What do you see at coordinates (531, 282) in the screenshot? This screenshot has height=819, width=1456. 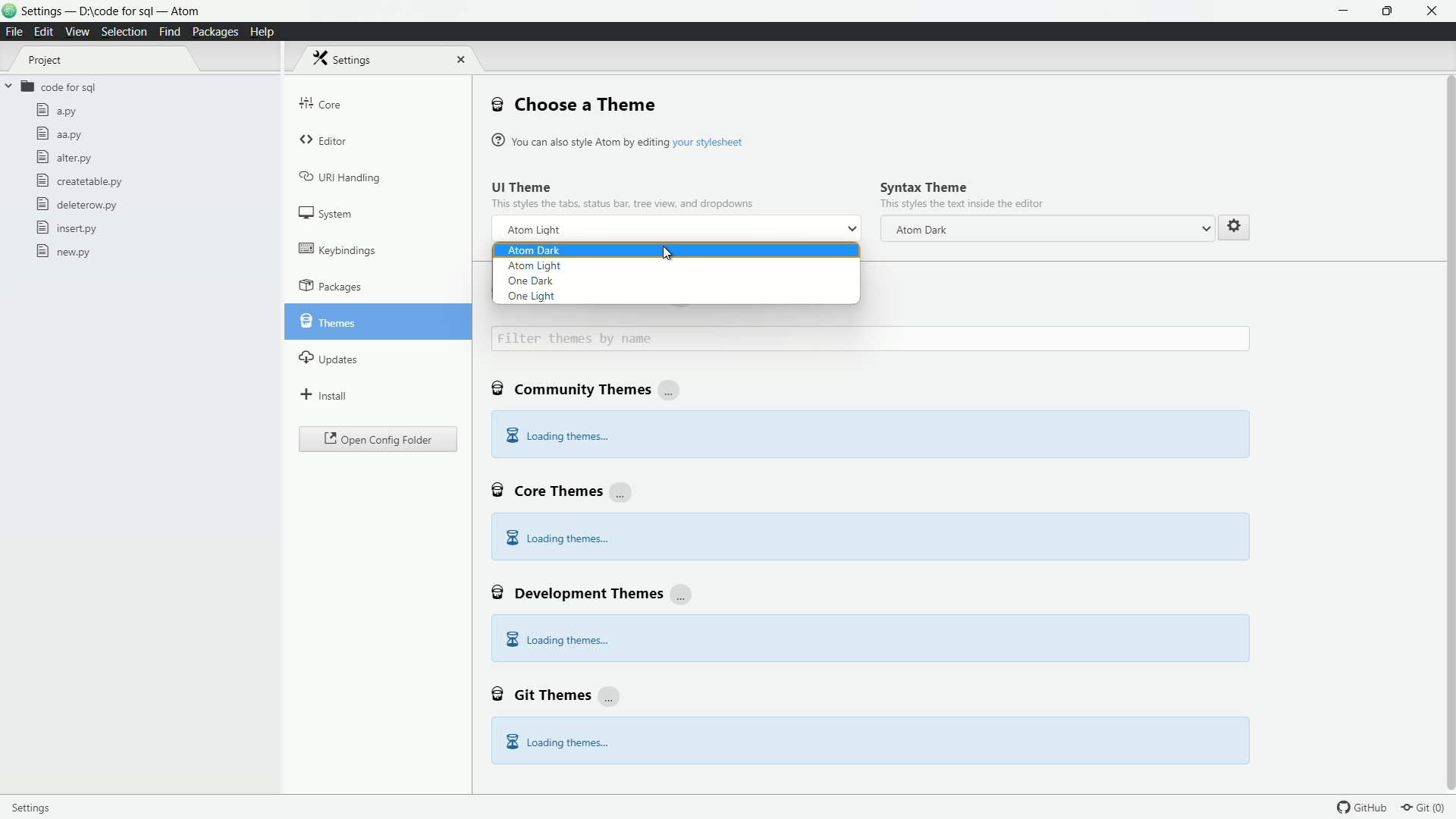 I see `one dark` at bounding box center [531, 282].